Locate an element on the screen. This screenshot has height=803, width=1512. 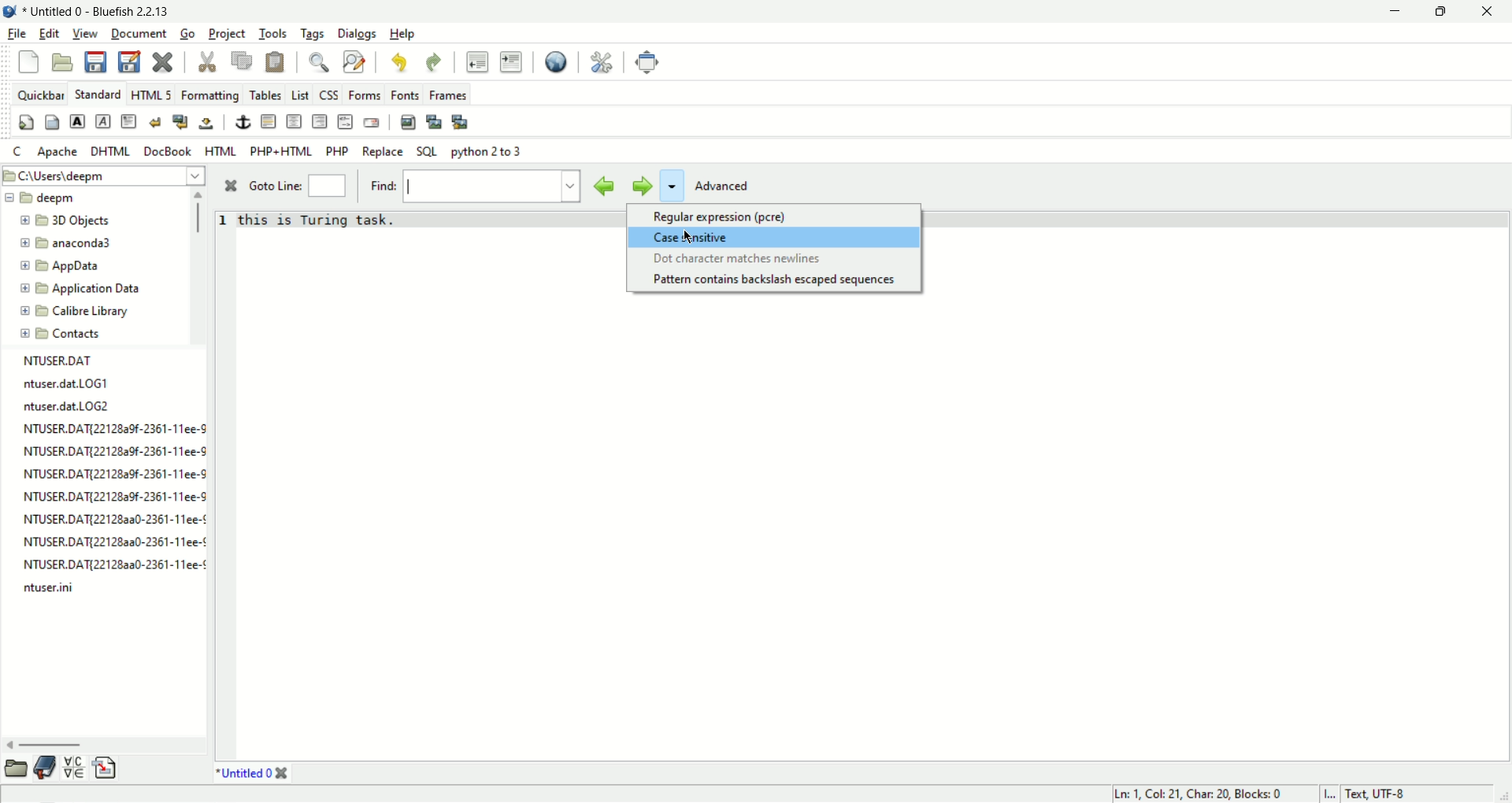
c  is located at coordinates (19, 153).